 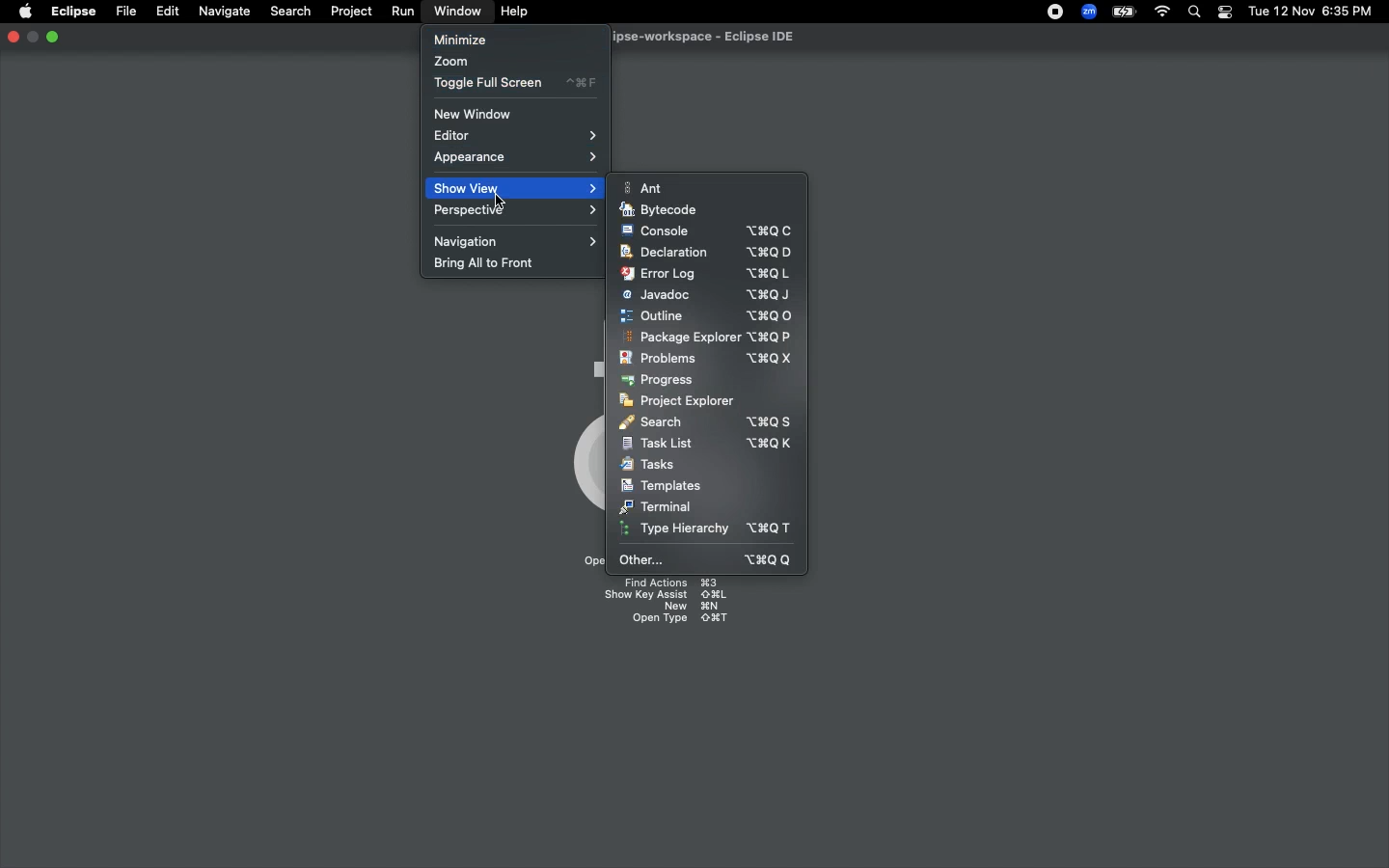 What do you see at coordinates (1090, 12) in the screenshot?
I see `Zoom` at bounding box center [1090, 12].